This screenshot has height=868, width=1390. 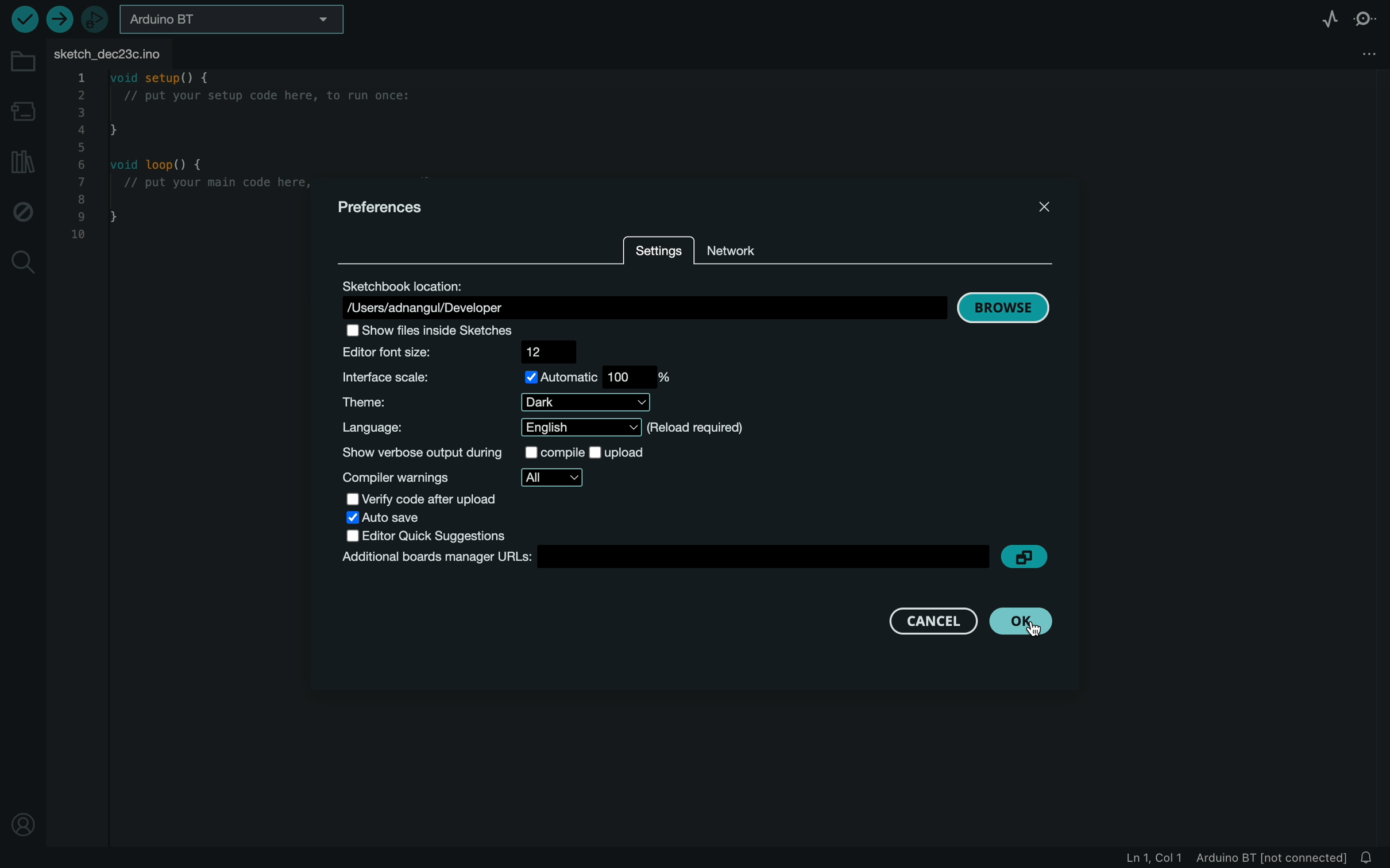 I want to click on debugger, so click(x=98, y=22).